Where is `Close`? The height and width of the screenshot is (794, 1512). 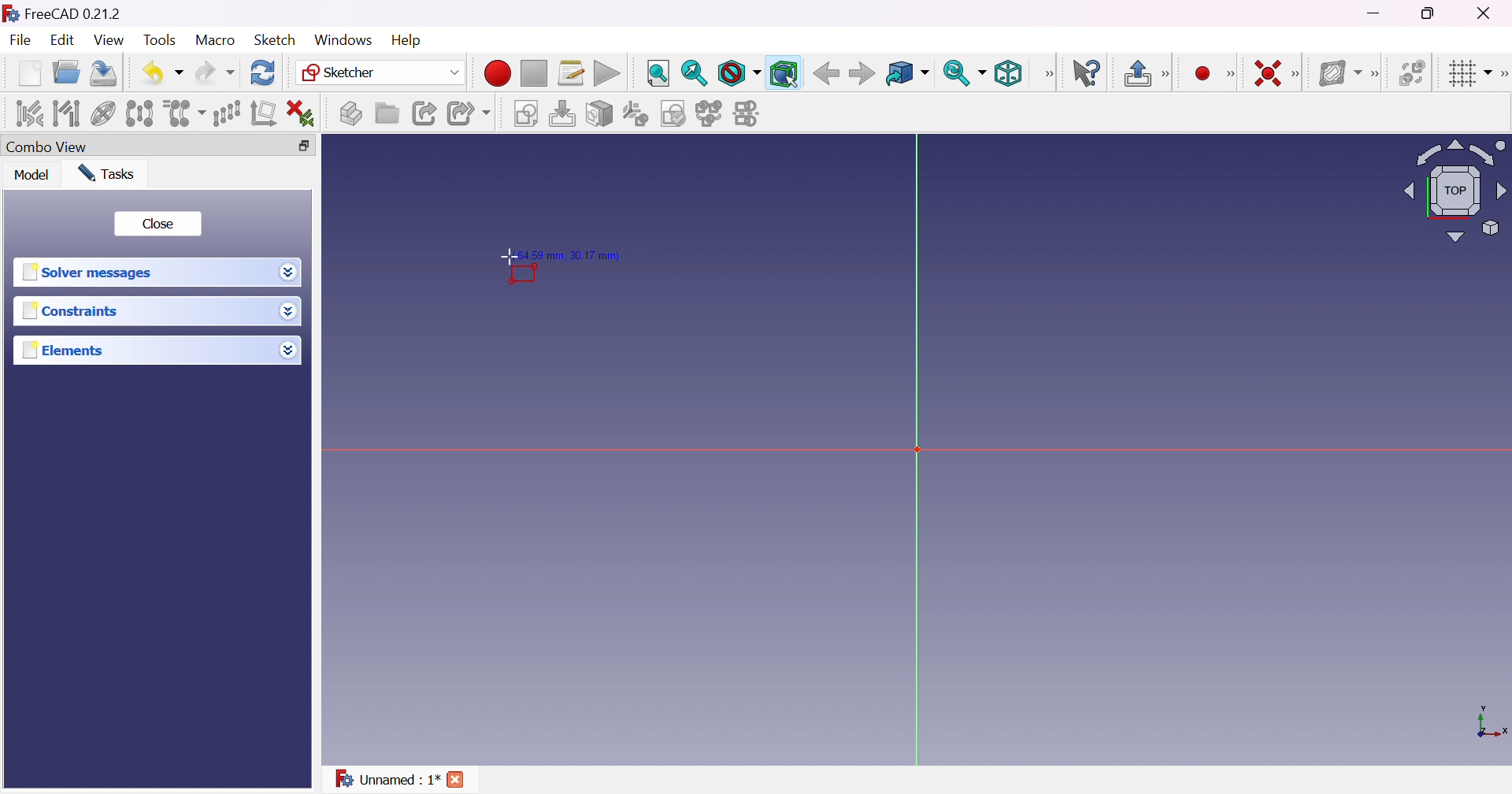 Close is located at coordinates (1486, 14).